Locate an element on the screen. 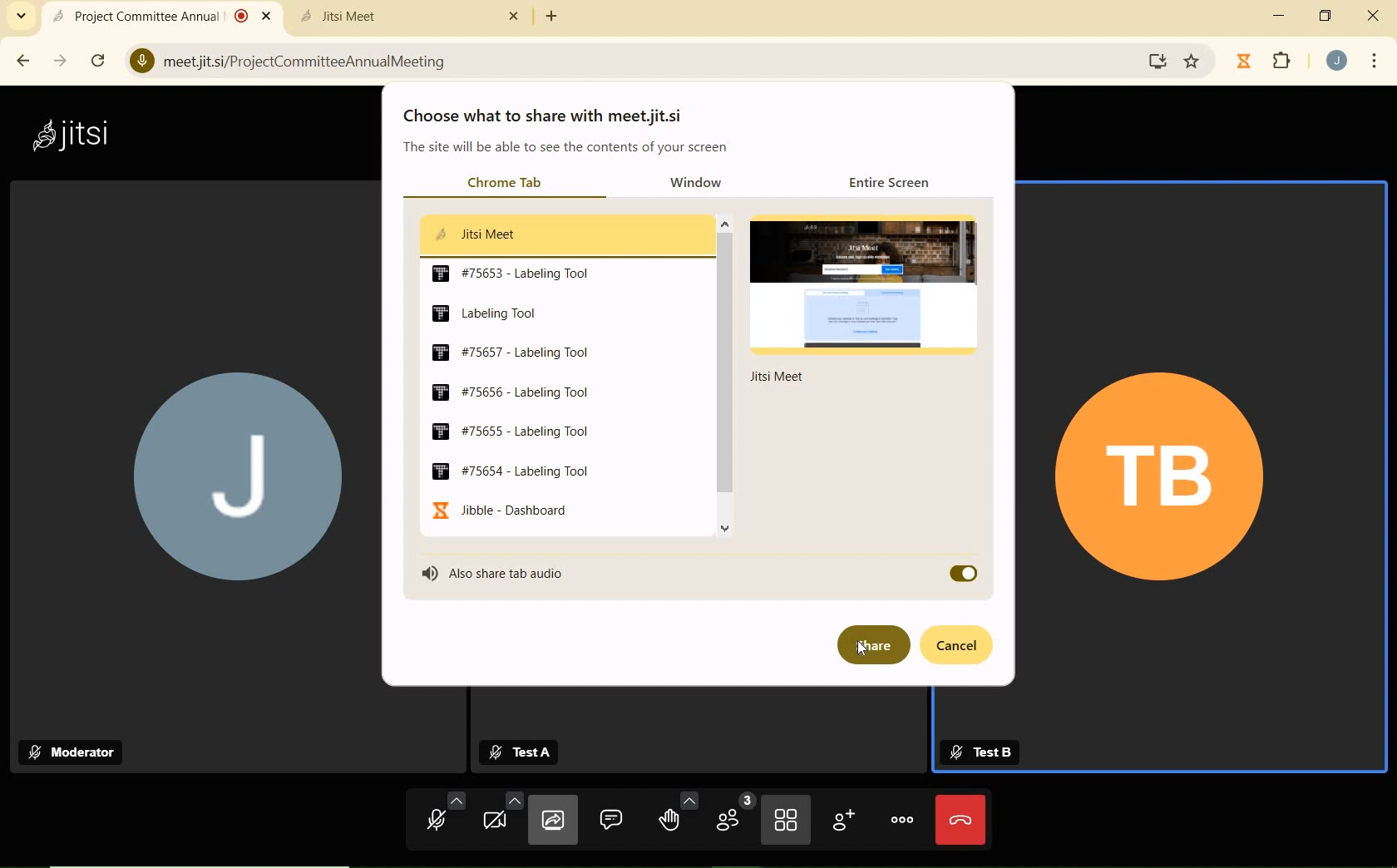 Image resolution: width=1397 pixels, height=868 pixels. back is located at coordinates (26, 61).